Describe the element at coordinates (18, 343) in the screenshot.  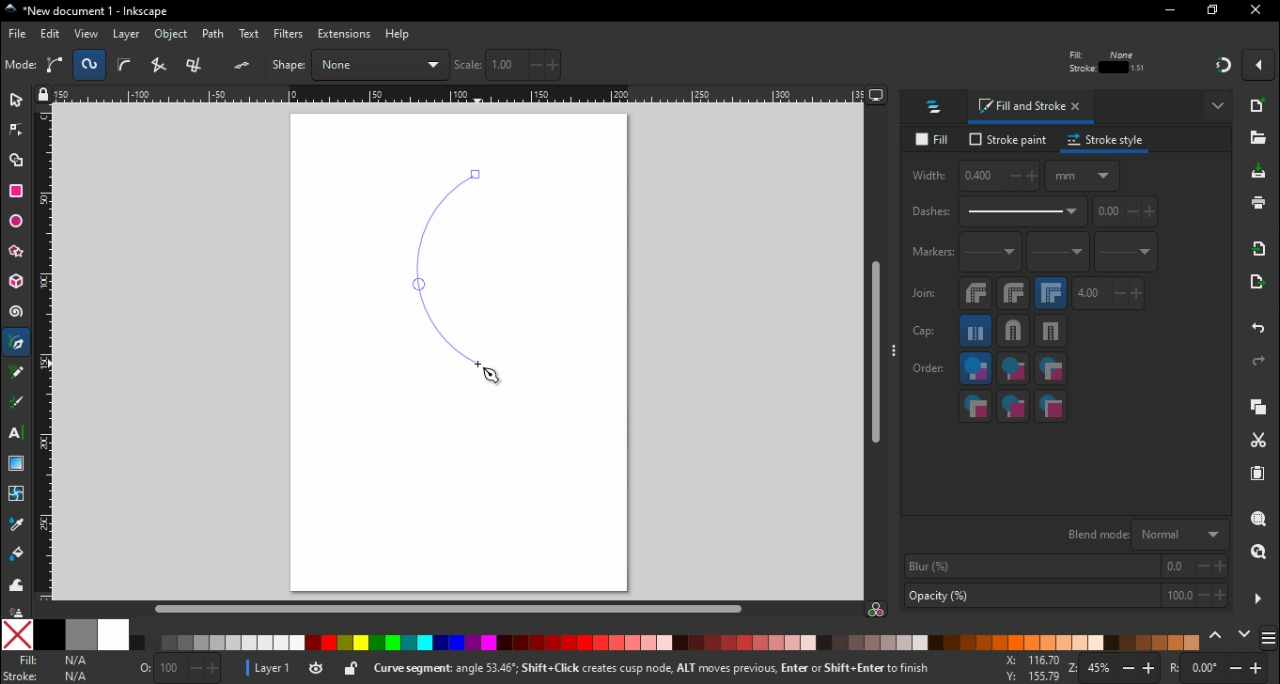
I see `pen tool` at that location.